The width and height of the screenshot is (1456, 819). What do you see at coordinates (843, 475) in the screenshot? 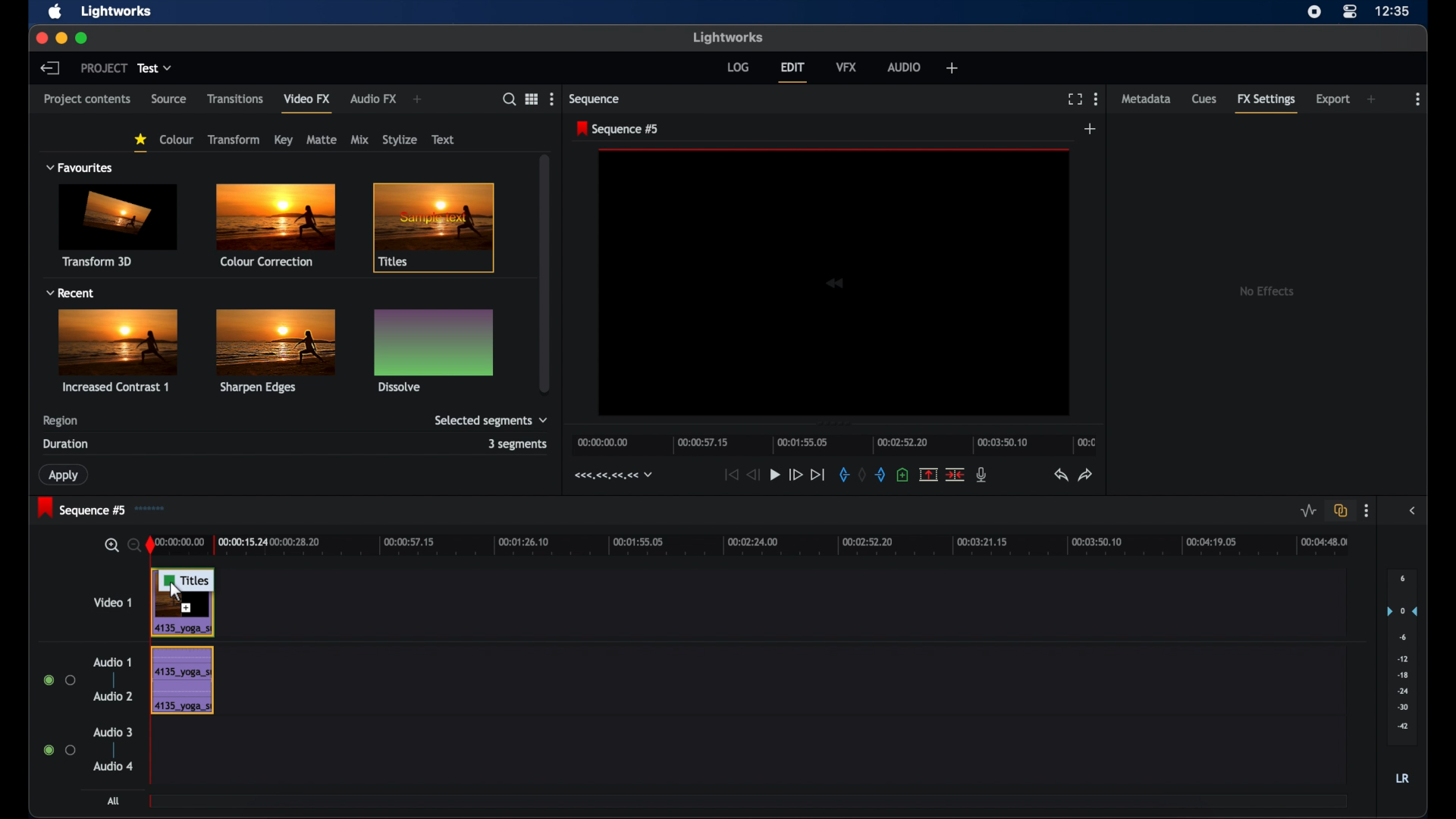
I see `add an in marker` at bounding box center [843, 475].